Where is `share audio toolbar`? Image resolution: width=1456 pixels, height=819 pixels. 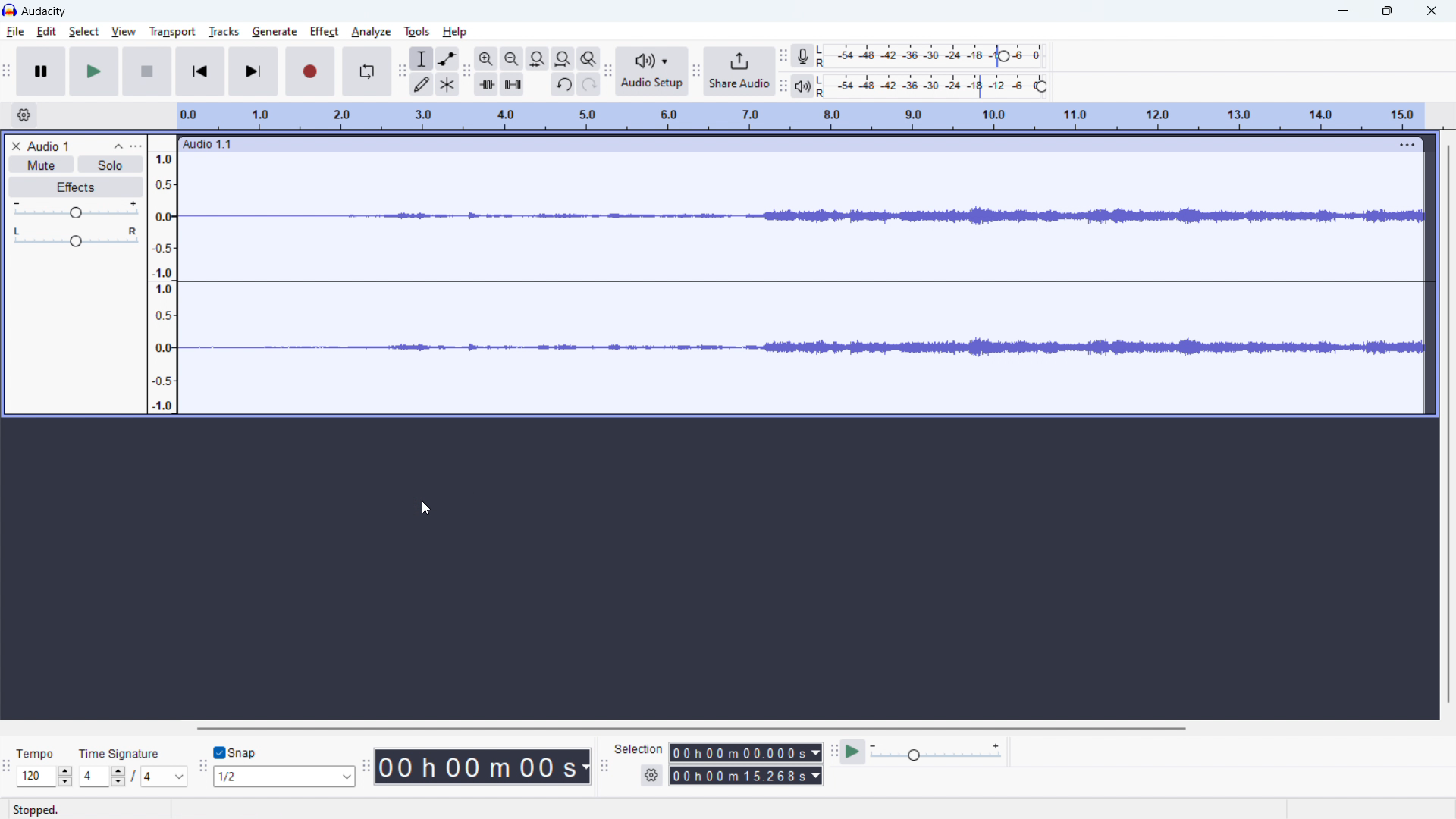
share audio toolbar is located at coordinates (697, 71).